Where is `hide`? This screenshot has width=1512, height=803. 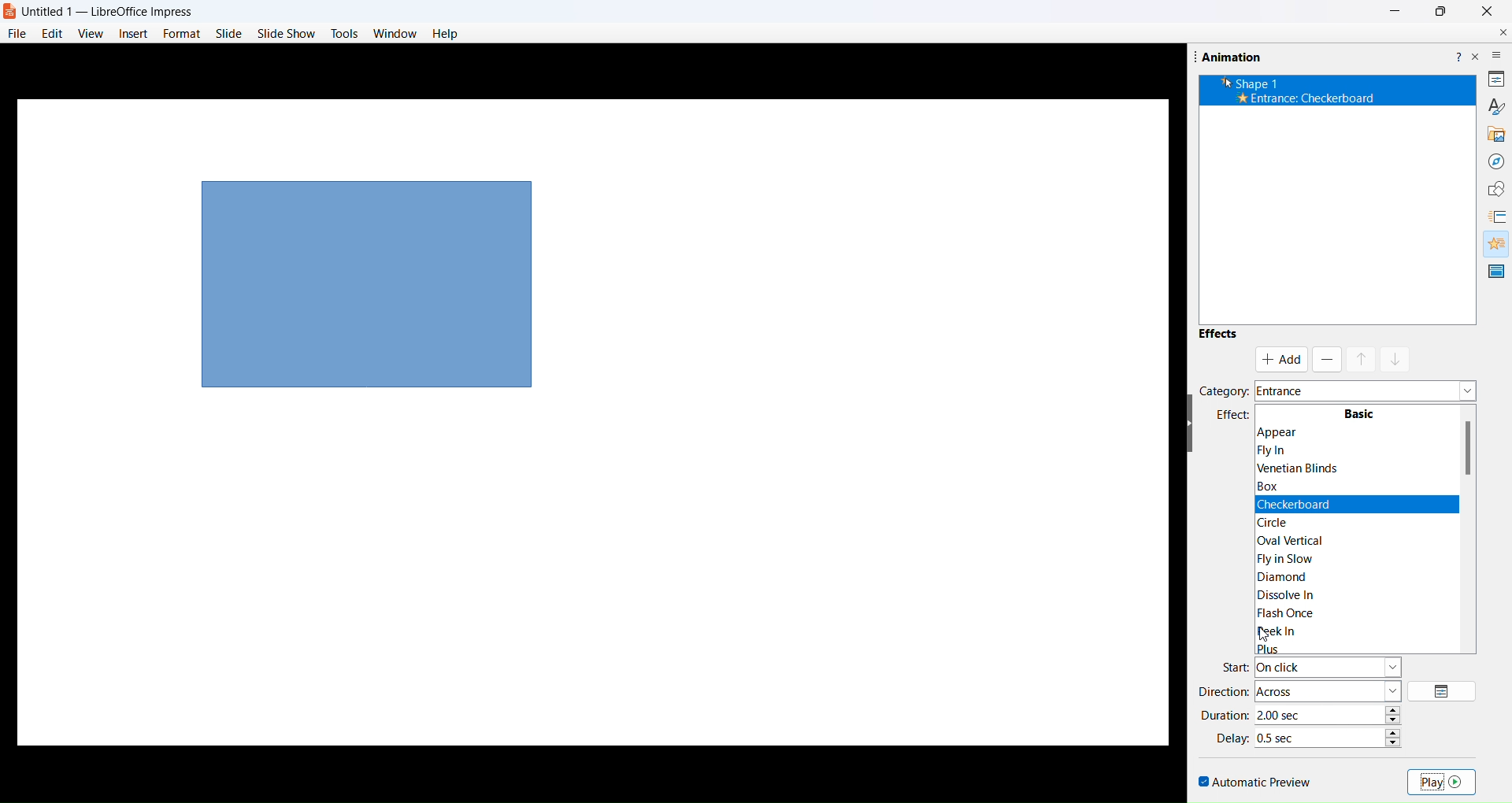
hide is located at coordinates (1191, 426).